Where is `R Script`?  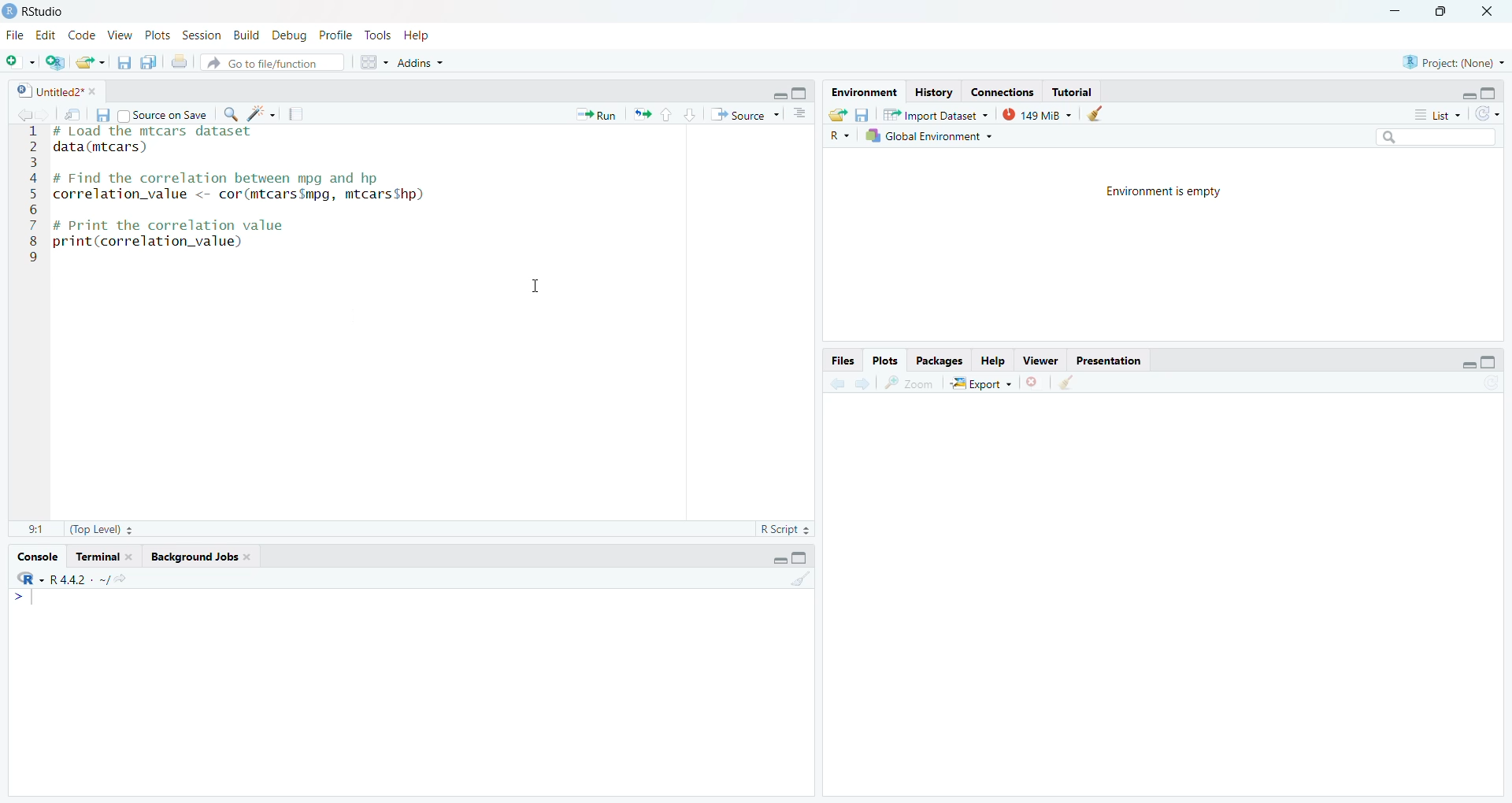 R Script is located at coordinates (779, 530).